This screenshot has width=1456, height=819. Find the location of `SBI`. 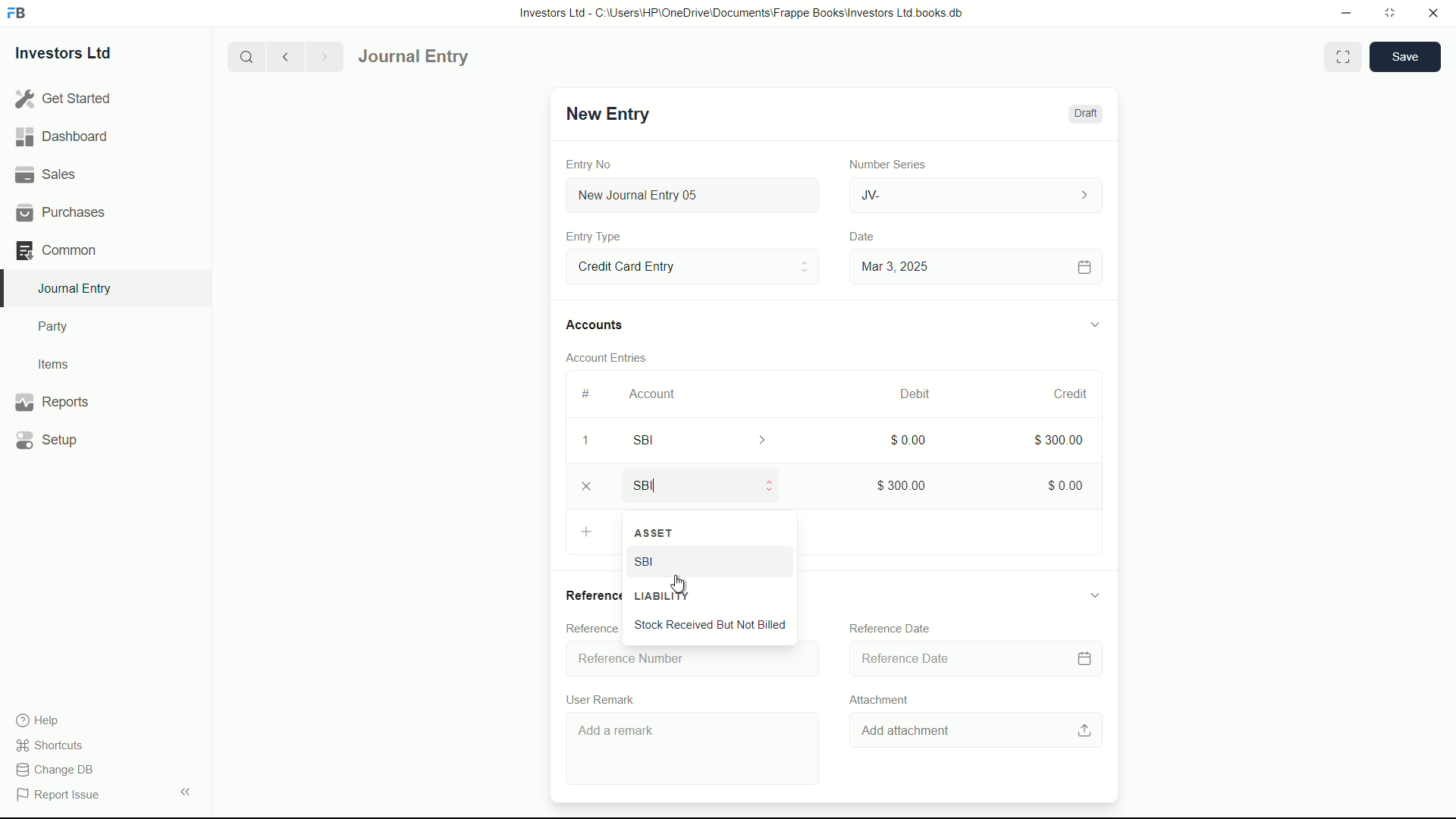

SBI is located at coordinates (710, 439).